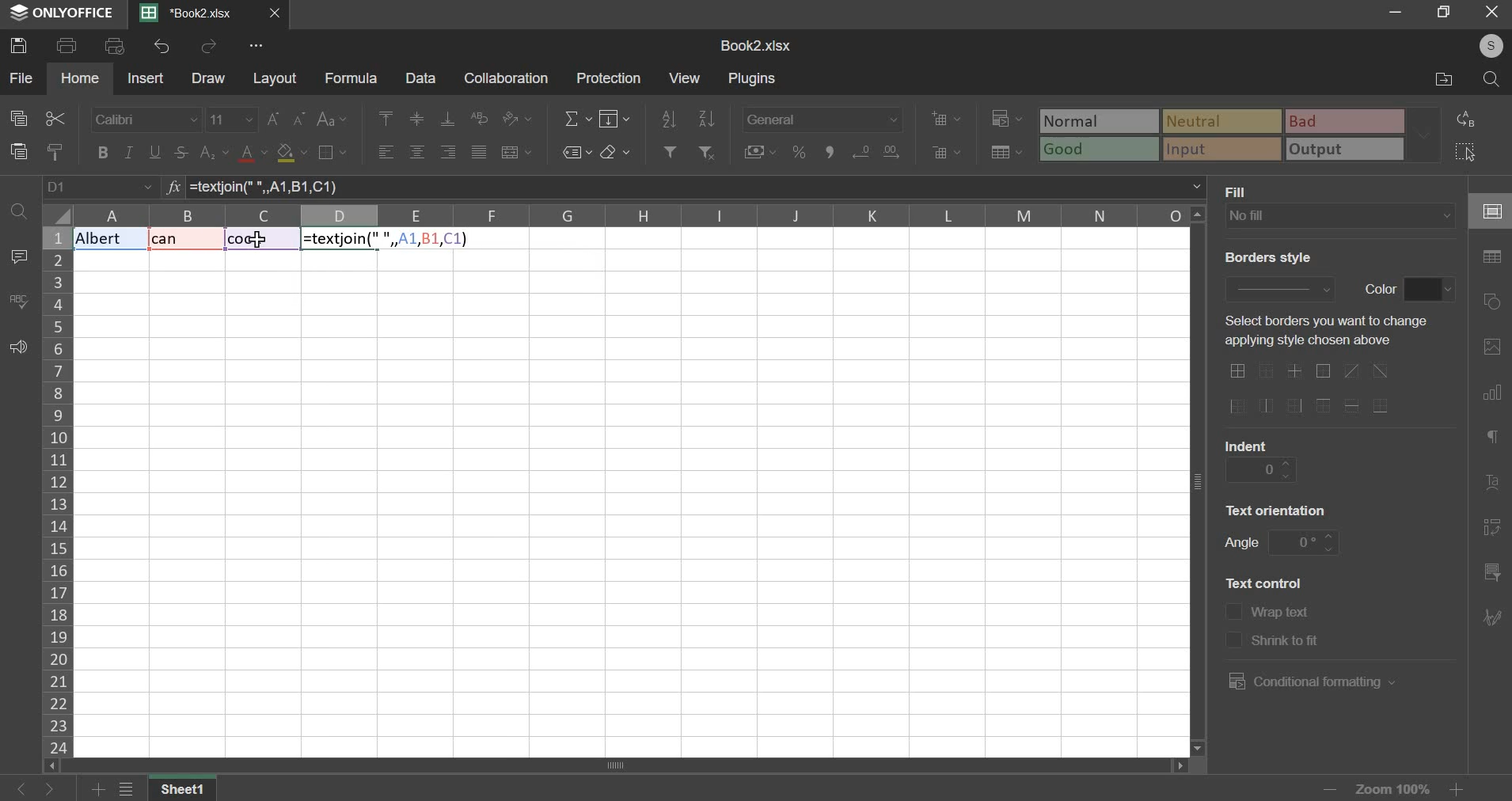  What do you see at coordinates (1471, 119) in the screenshot?
I see `replace` at bounding box center [1471, 119].